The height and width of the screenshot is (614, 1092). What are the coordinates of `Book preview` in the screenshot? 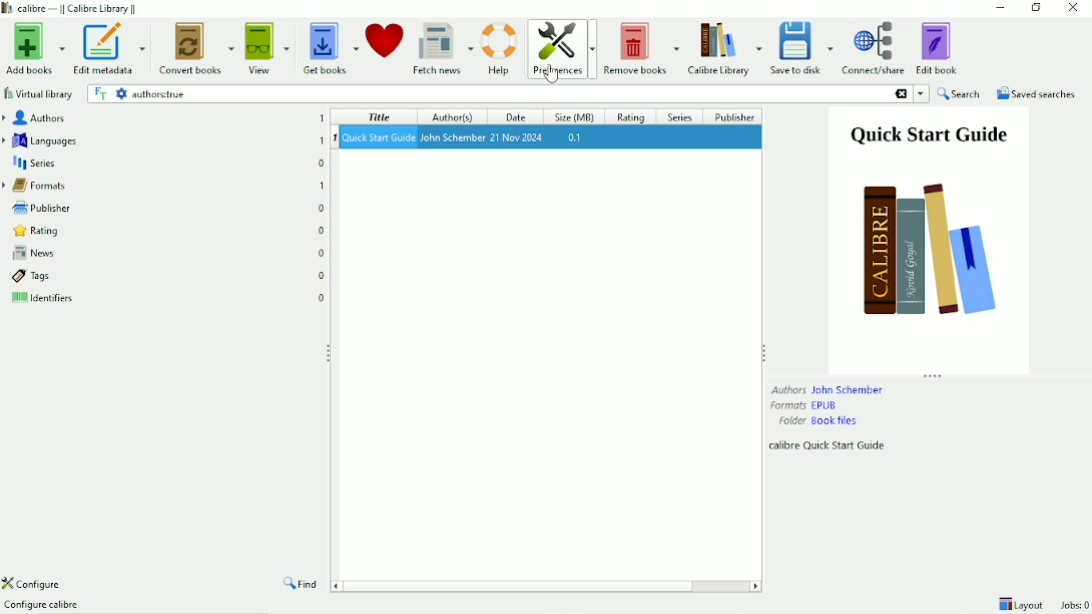 It's located at (928, 239).